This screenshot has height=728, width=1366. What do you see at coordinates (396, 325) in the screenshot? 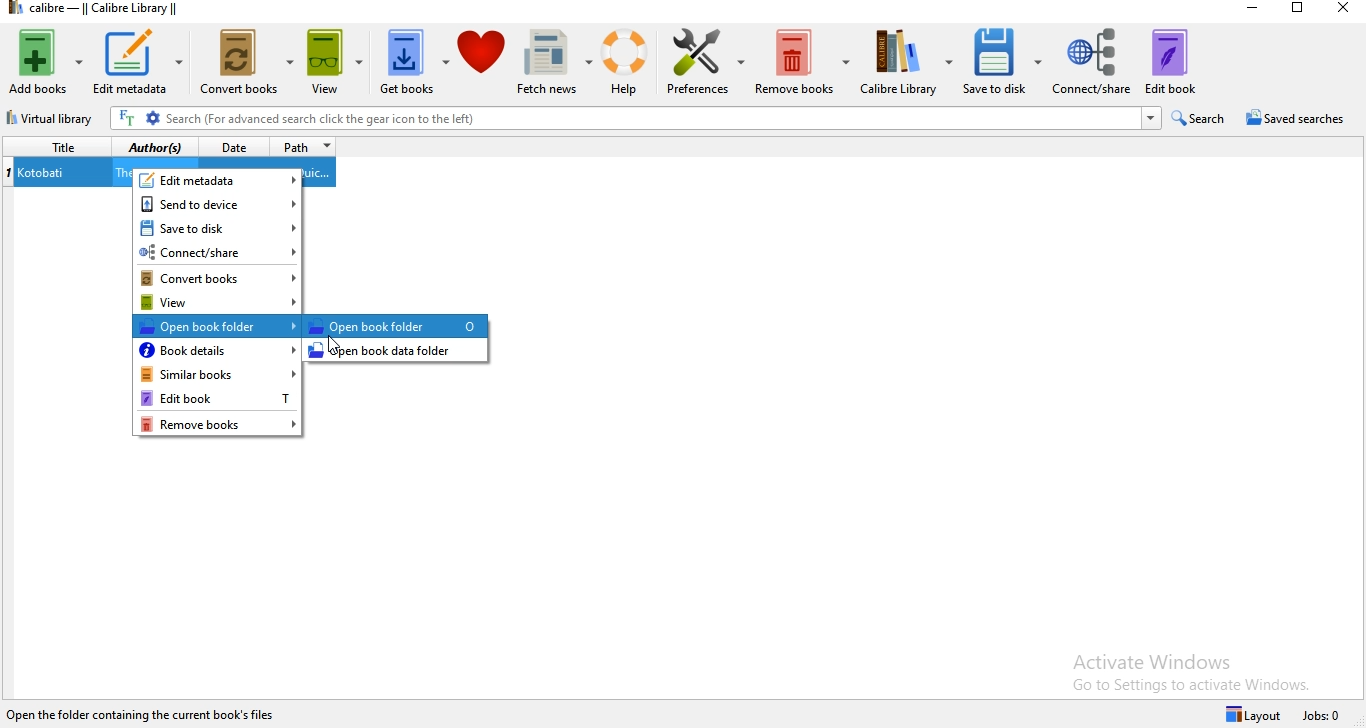
I see `highlighted` at bounding box center [396, 325].